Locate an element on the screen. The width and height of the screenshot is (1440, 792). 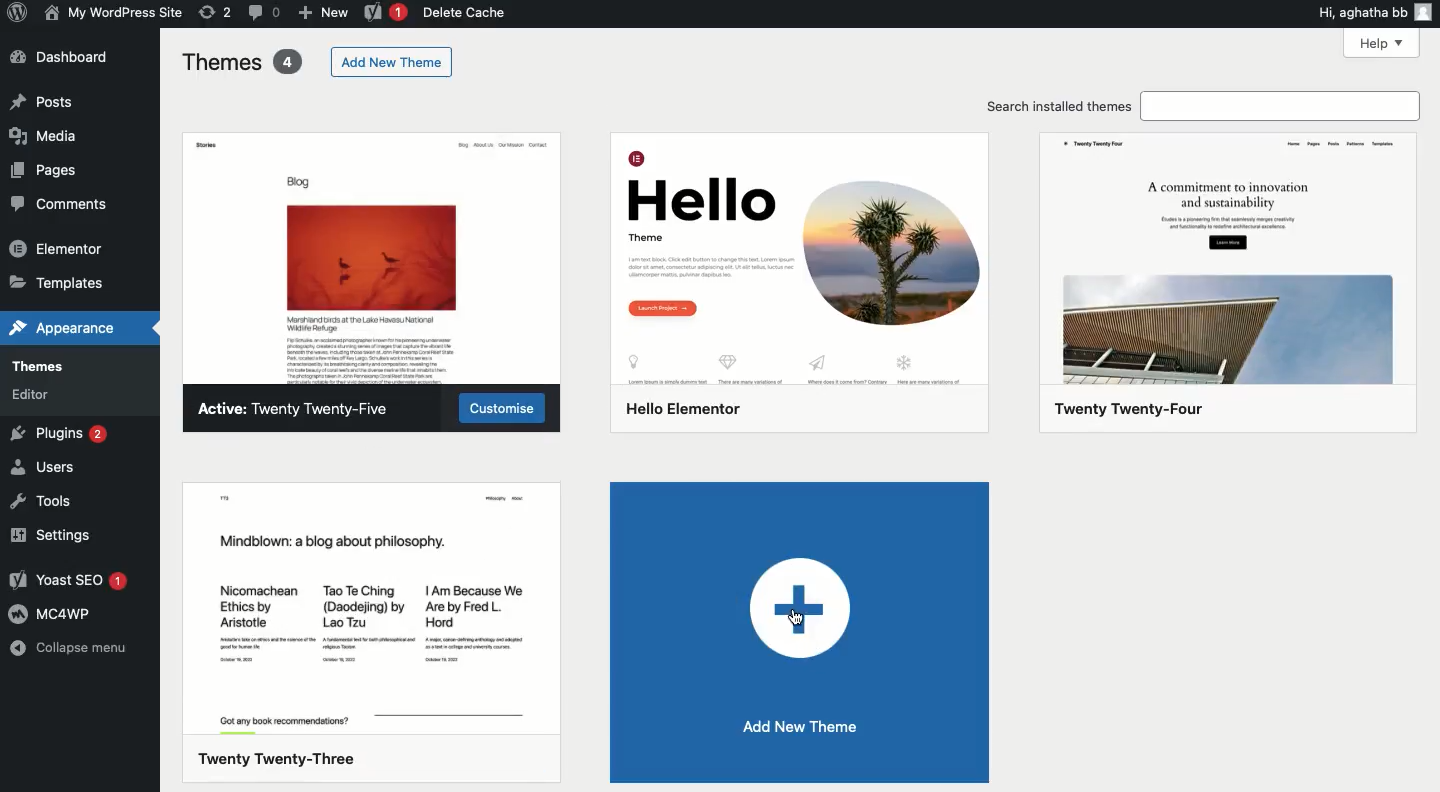
Customize is located at coordinates (500, 406).